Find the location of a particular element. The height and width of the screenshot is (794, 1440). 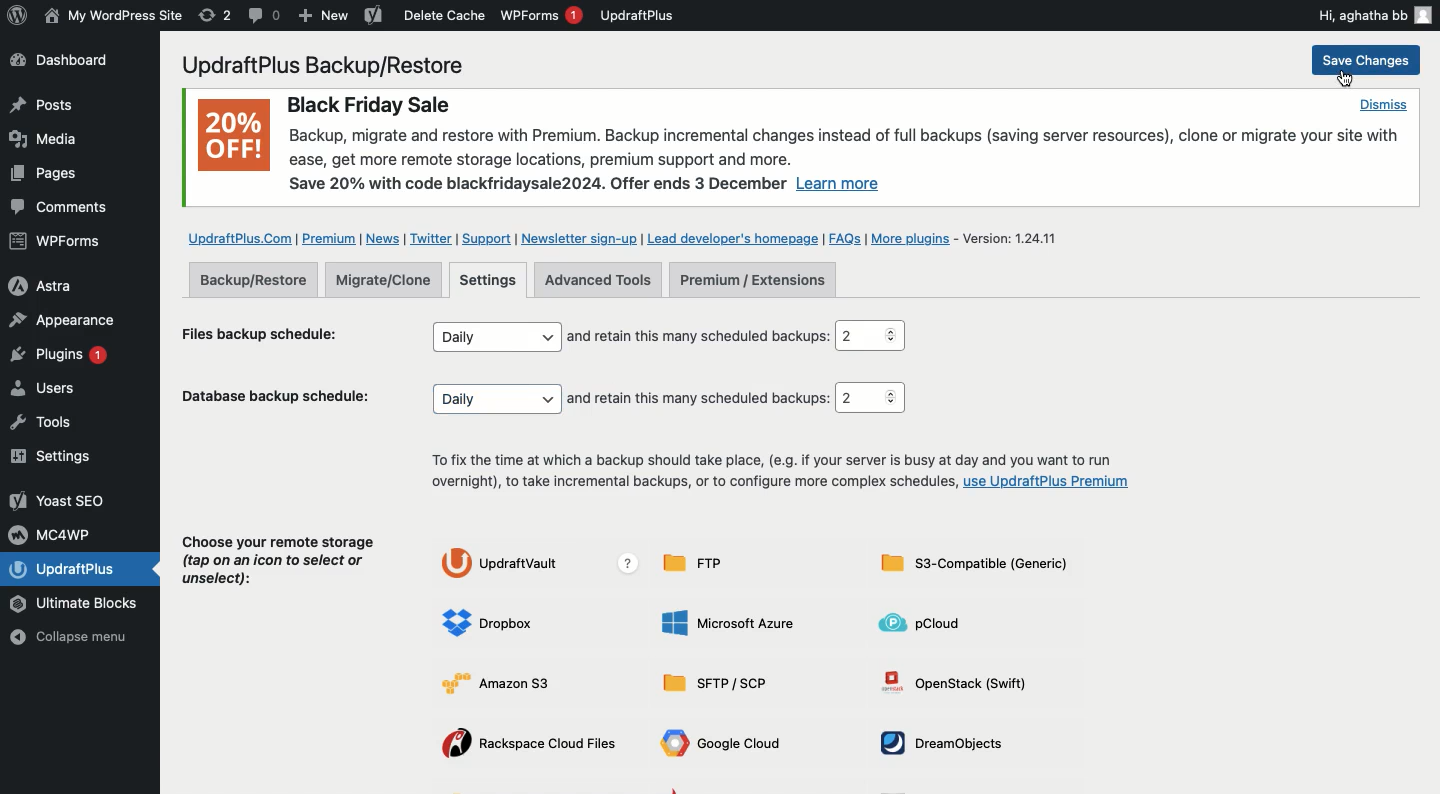

Comments is located at coordinates (62, 208).